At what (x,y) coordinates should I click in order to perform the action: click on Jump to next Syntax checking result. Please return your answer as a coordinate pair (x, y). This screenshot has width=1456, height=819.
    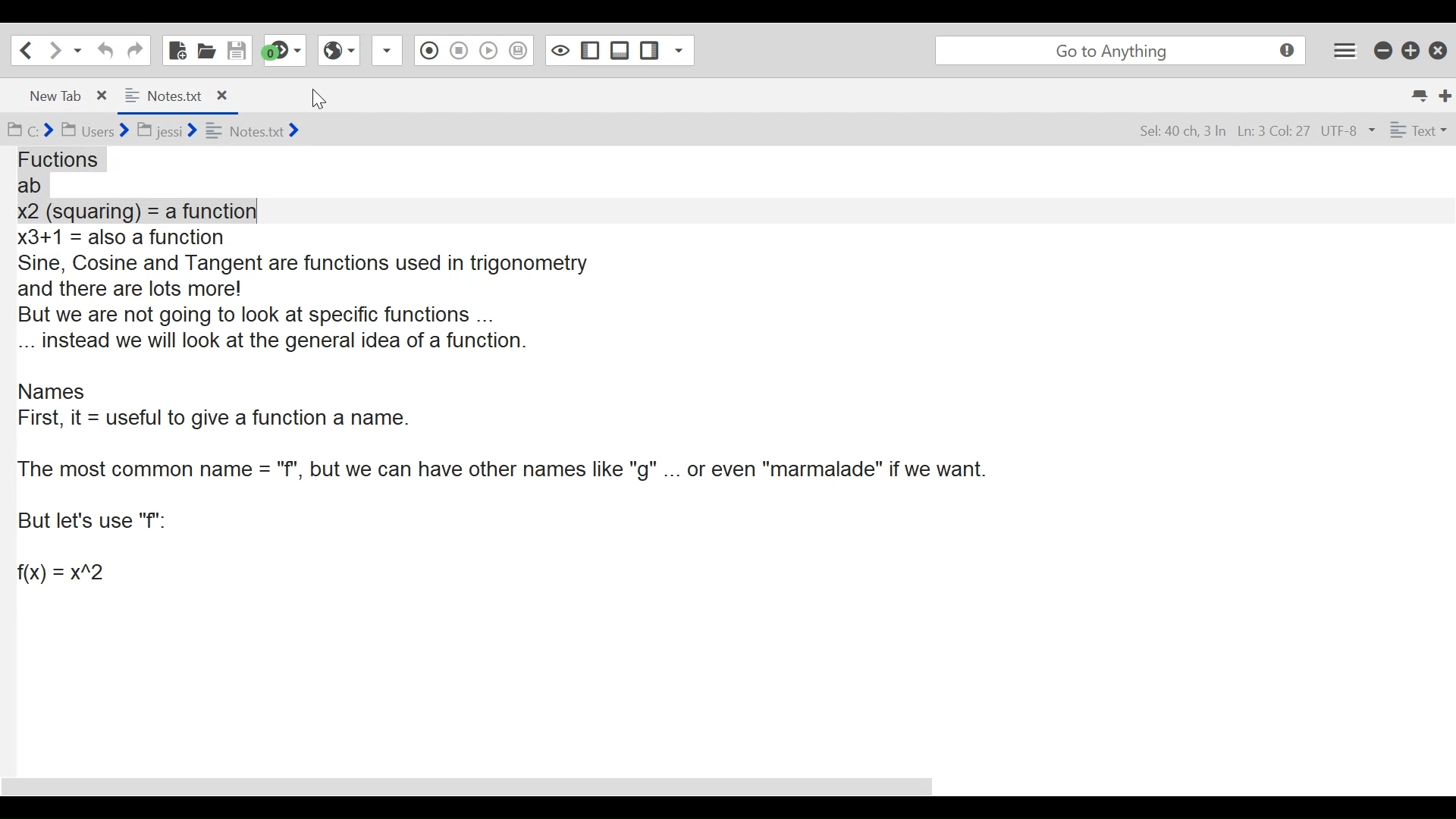
    Looking at the image, I should click on (283, 50).